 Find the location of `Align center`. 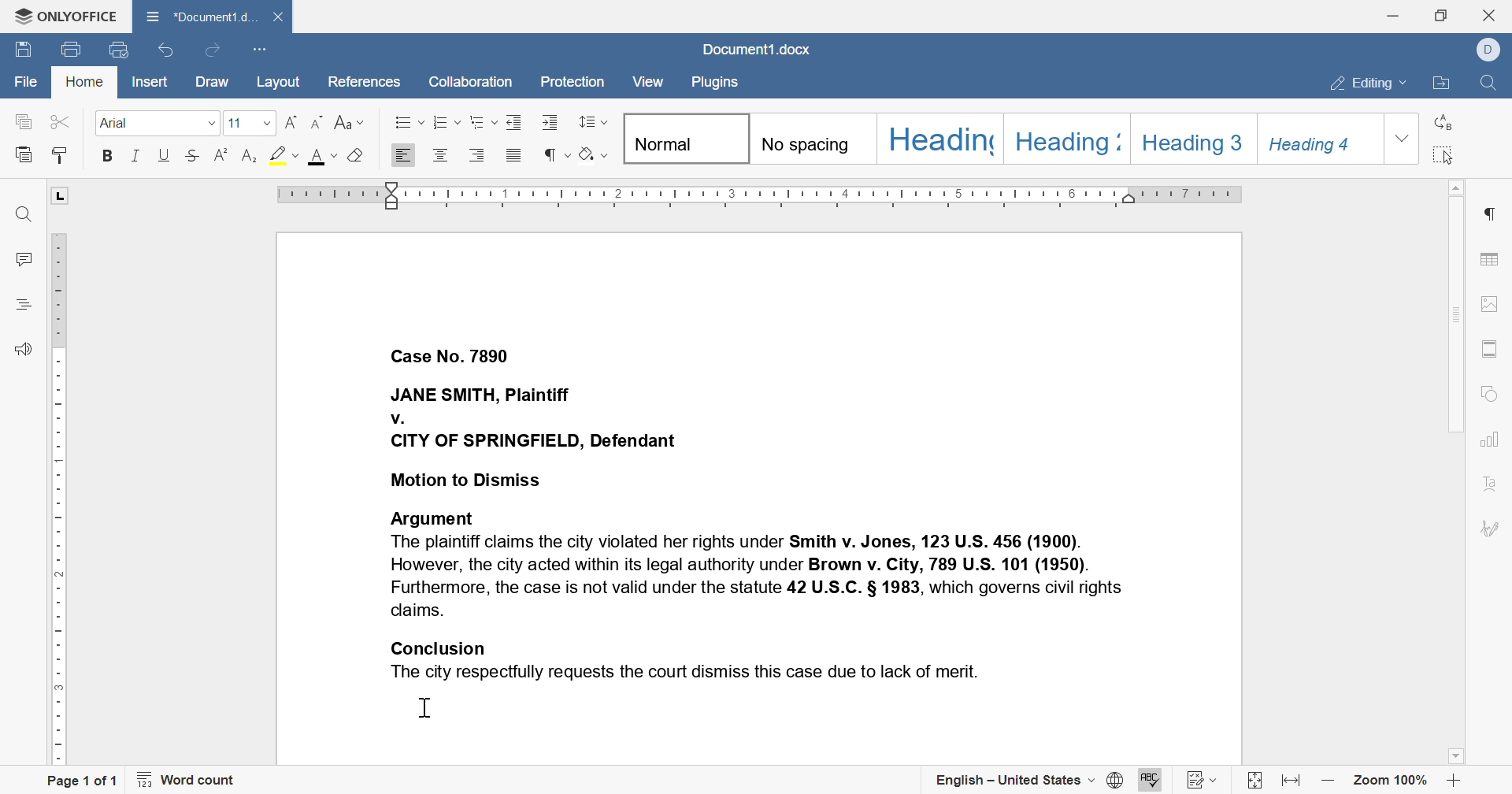

Align center is located at coordinates (440, 157).